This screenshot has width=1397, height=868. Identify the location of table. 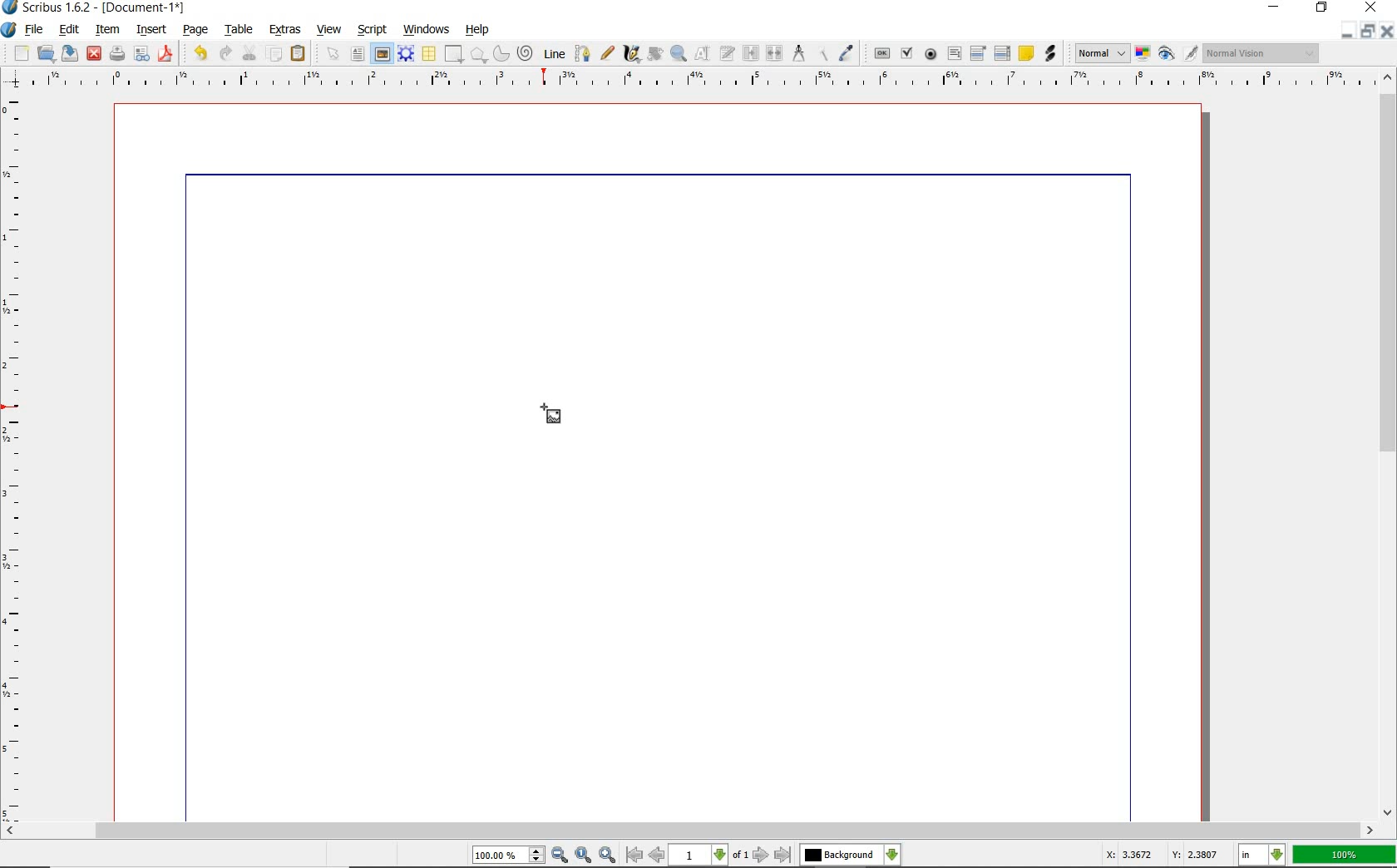
(430, 55).